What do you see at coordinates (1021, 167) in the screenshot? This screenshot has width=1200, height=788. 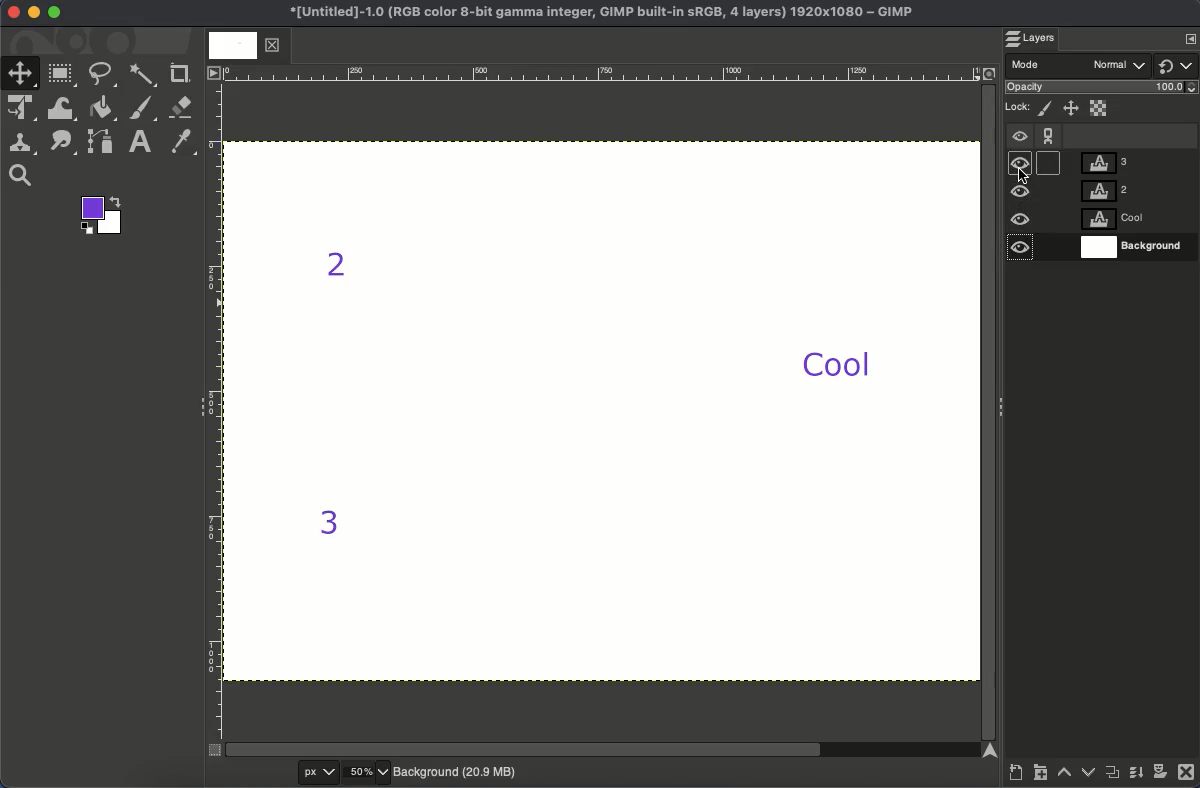 I see `Visible` at bounding box center [1021, 167].